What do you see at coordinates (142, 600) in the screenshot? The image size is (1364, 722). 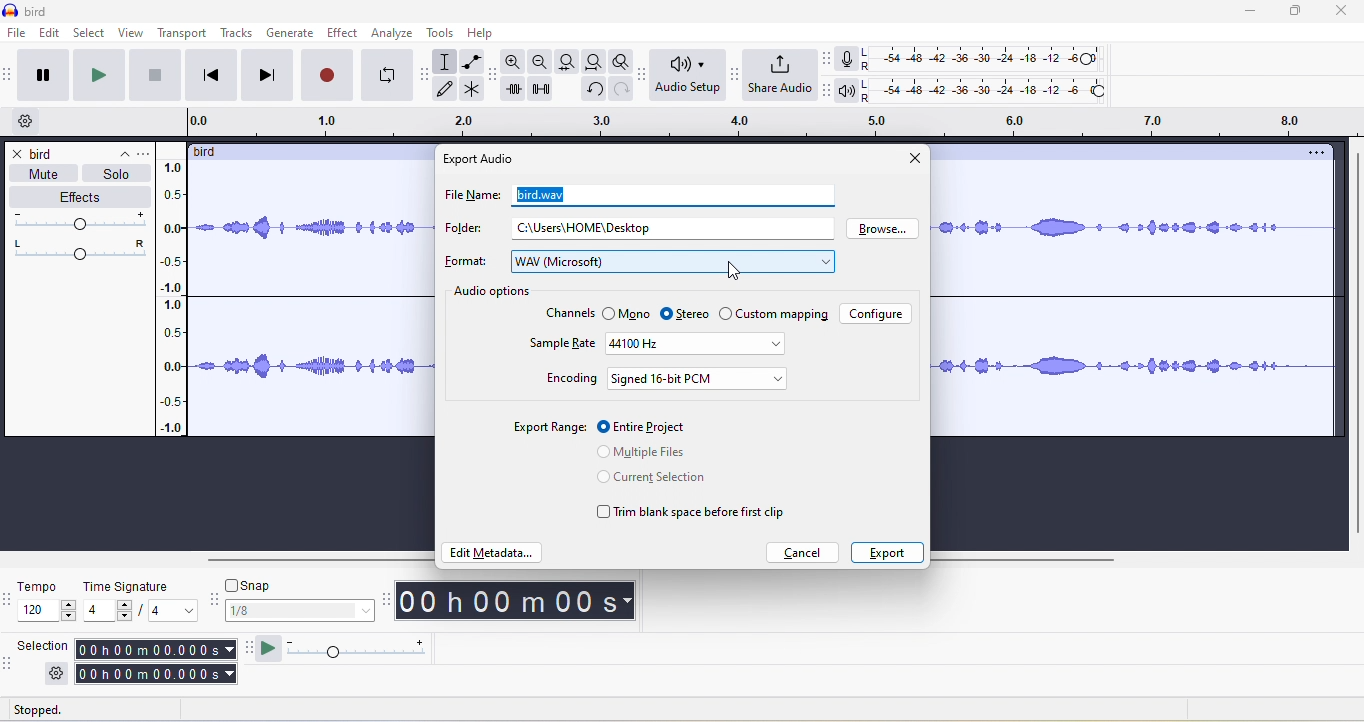 I see `time signature` at bounding box center [142, 600].